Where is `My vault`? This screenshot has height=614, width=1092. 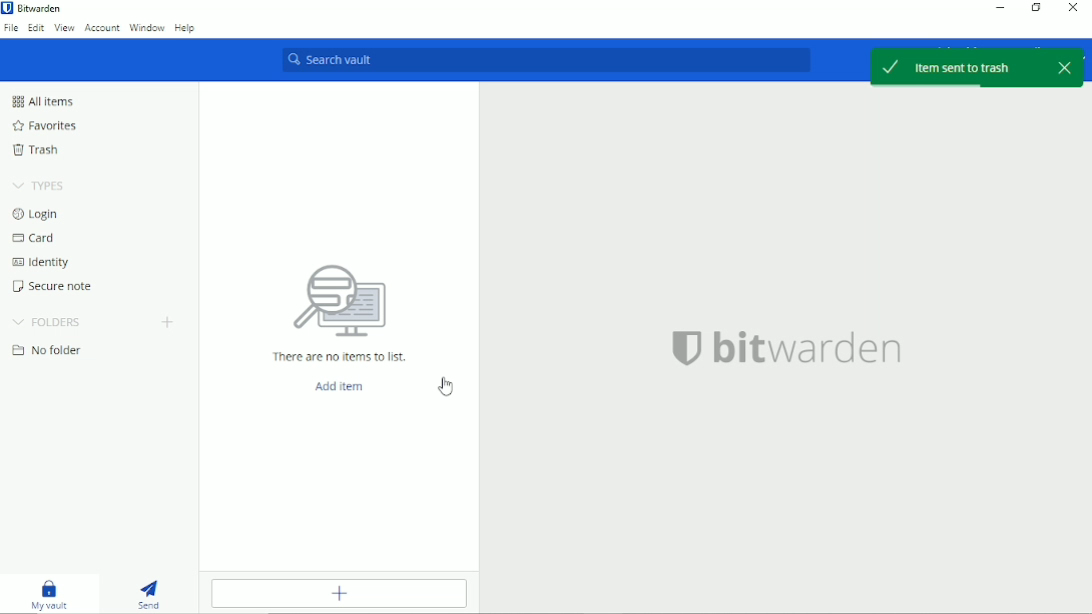 My vault is located at coordinates (50, 594).